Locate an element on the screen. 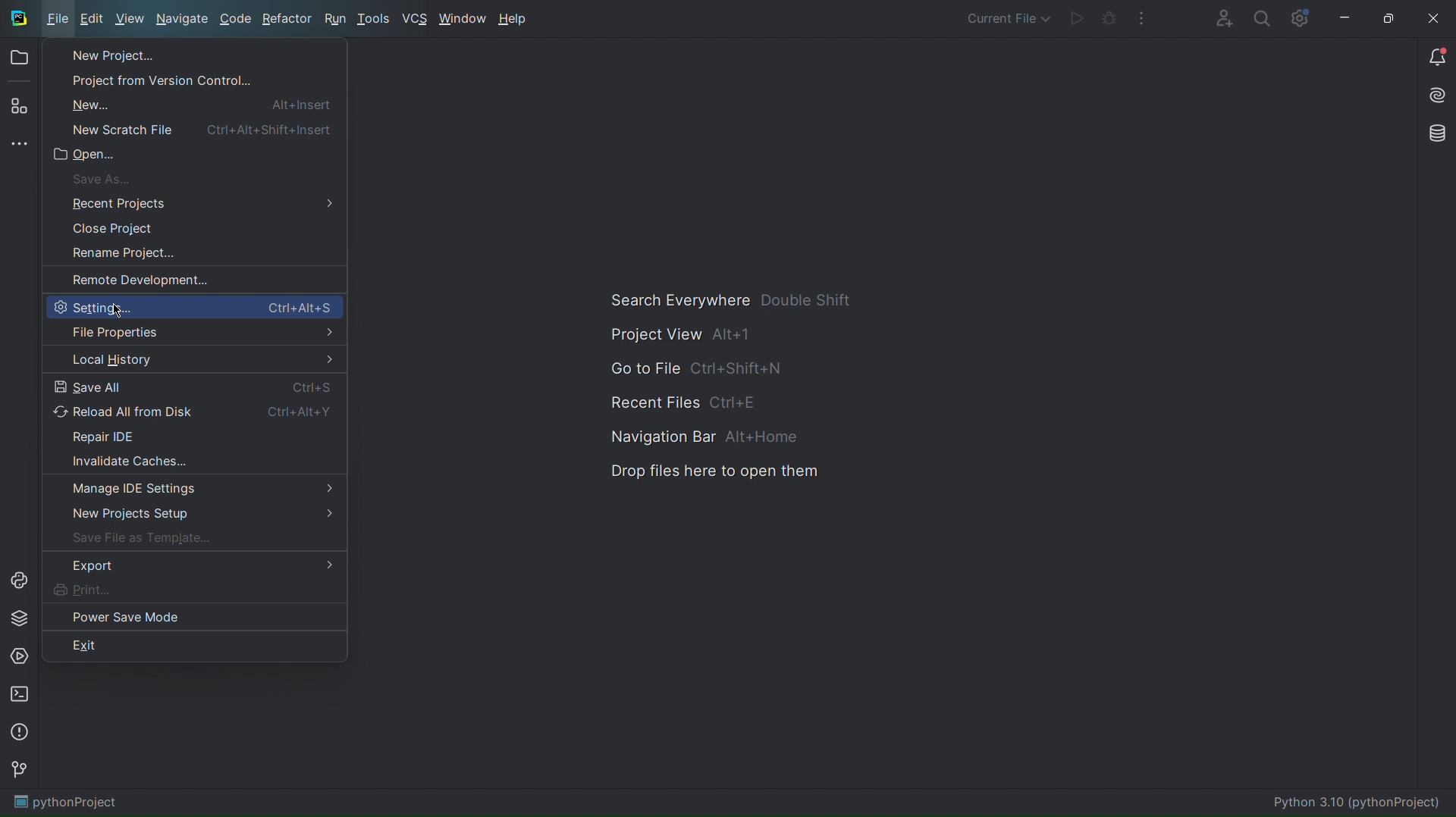 The image size is (1456, 817). Recent Projects is located at coordinates (108, 202).